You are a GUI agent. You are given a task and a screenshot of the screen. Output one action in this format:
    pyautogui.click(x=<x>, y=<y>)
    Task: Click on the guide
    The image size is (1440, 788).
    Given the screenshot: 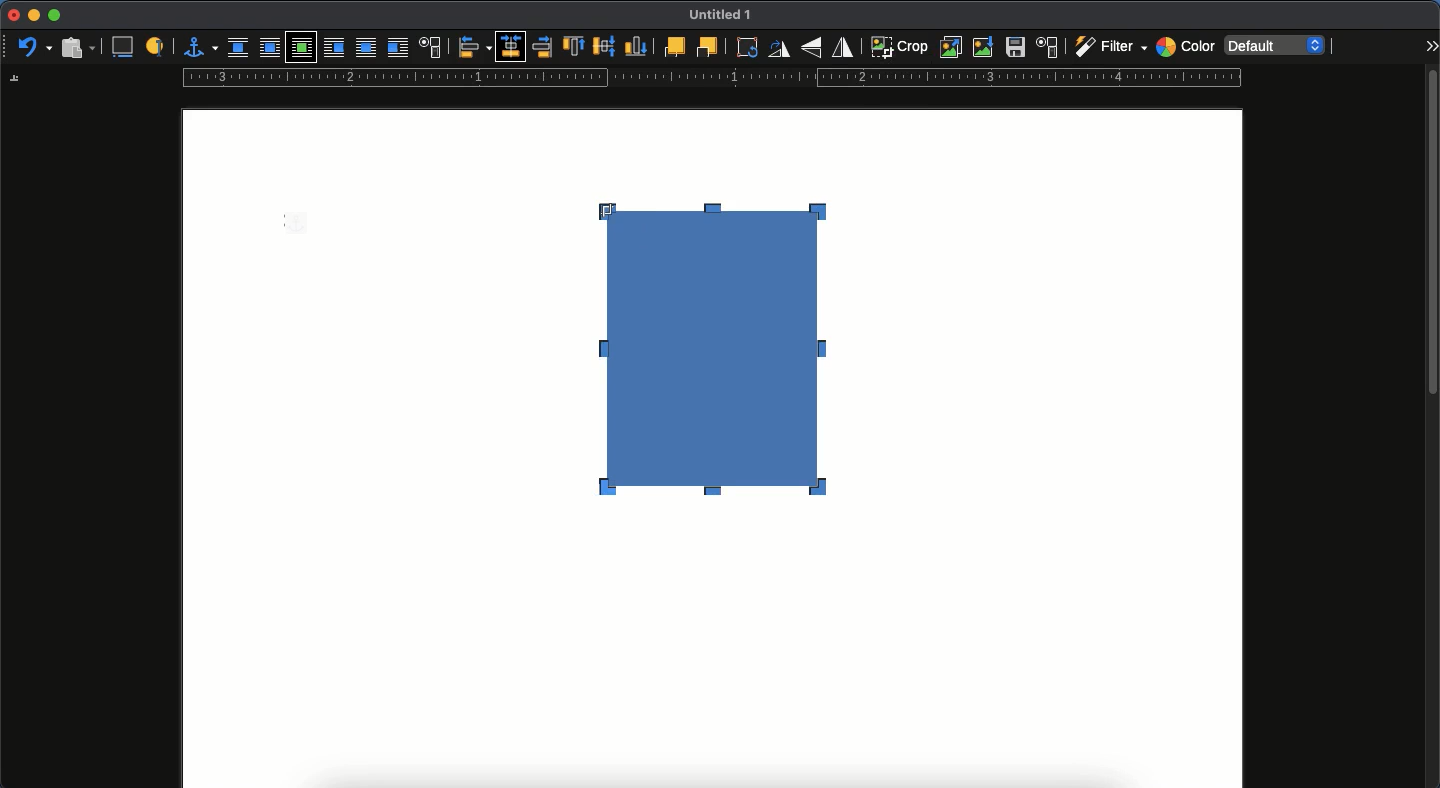 What is the action you would take?
    pyautogui.click(x=711, y=80)
    